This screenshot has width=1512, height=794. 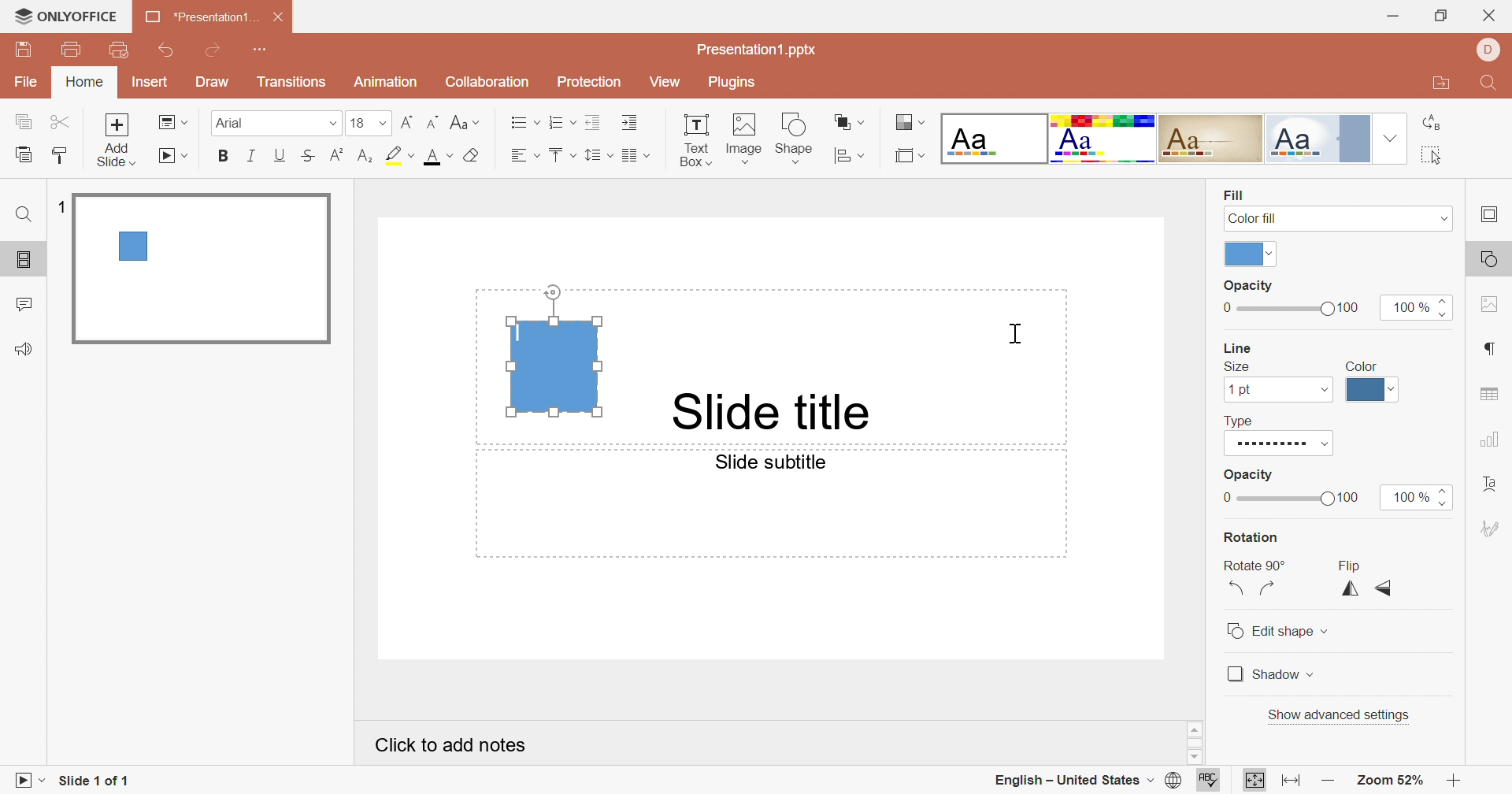 I want to click on Bold, so click(x=224, y=157).